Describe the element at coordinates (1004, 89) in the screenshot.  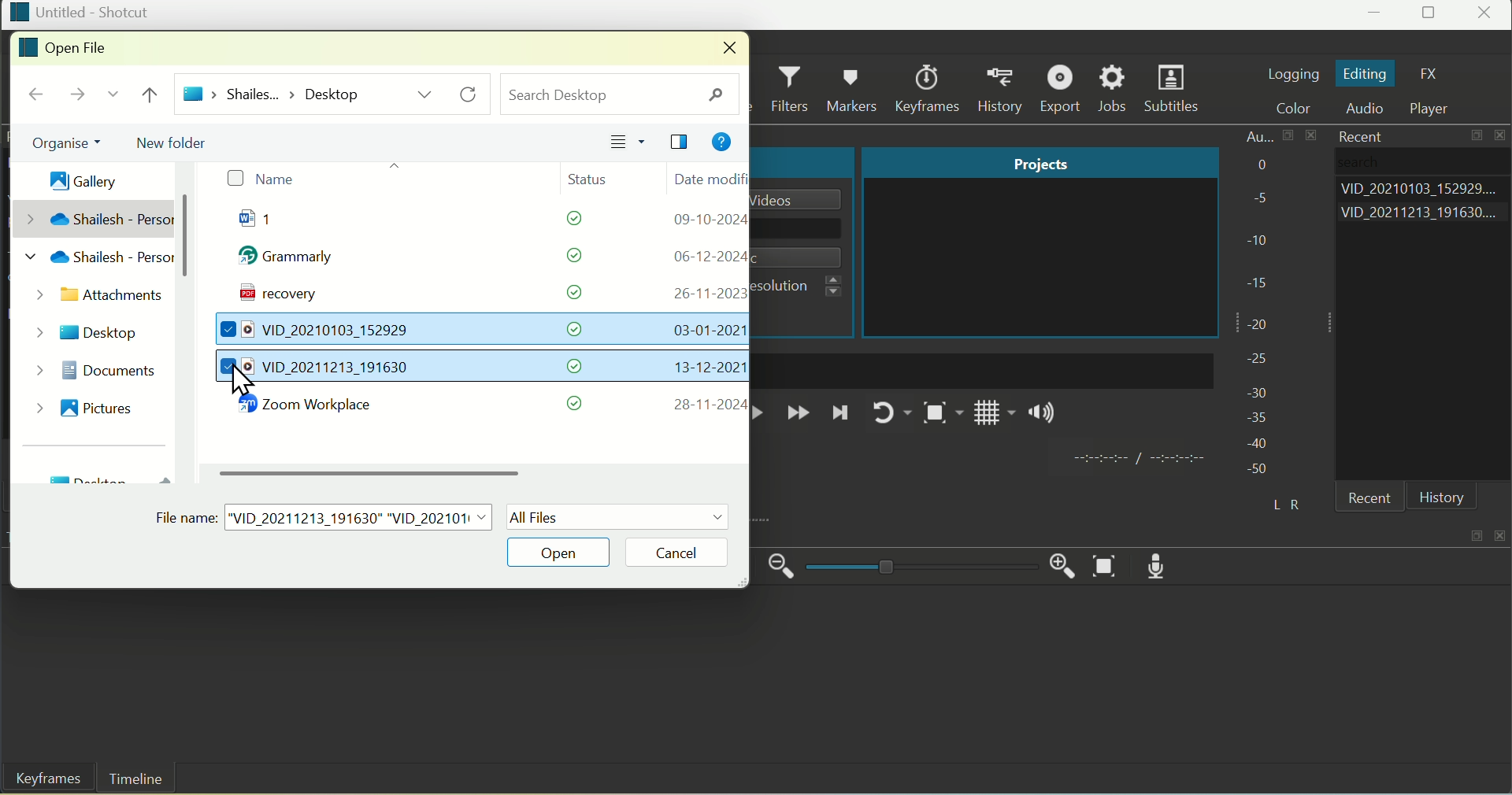
I see `History` at that location.